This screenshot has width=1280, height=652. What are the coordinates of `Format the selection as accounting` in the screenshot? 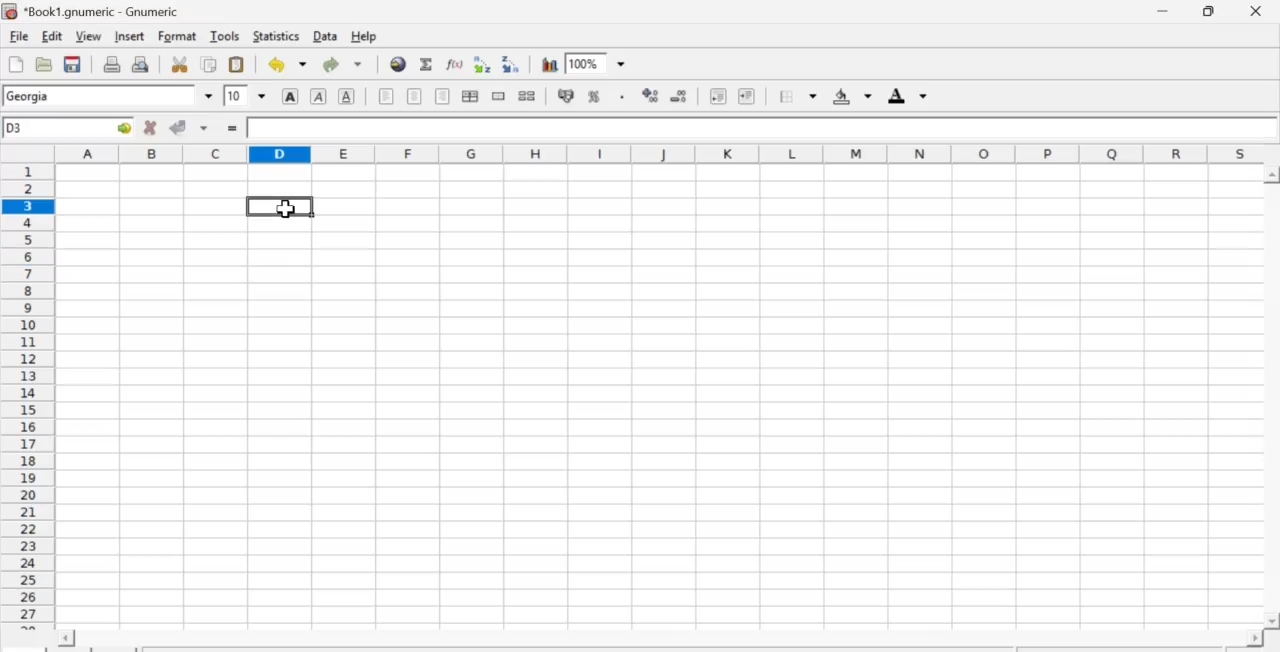 It's located at (566, 95).